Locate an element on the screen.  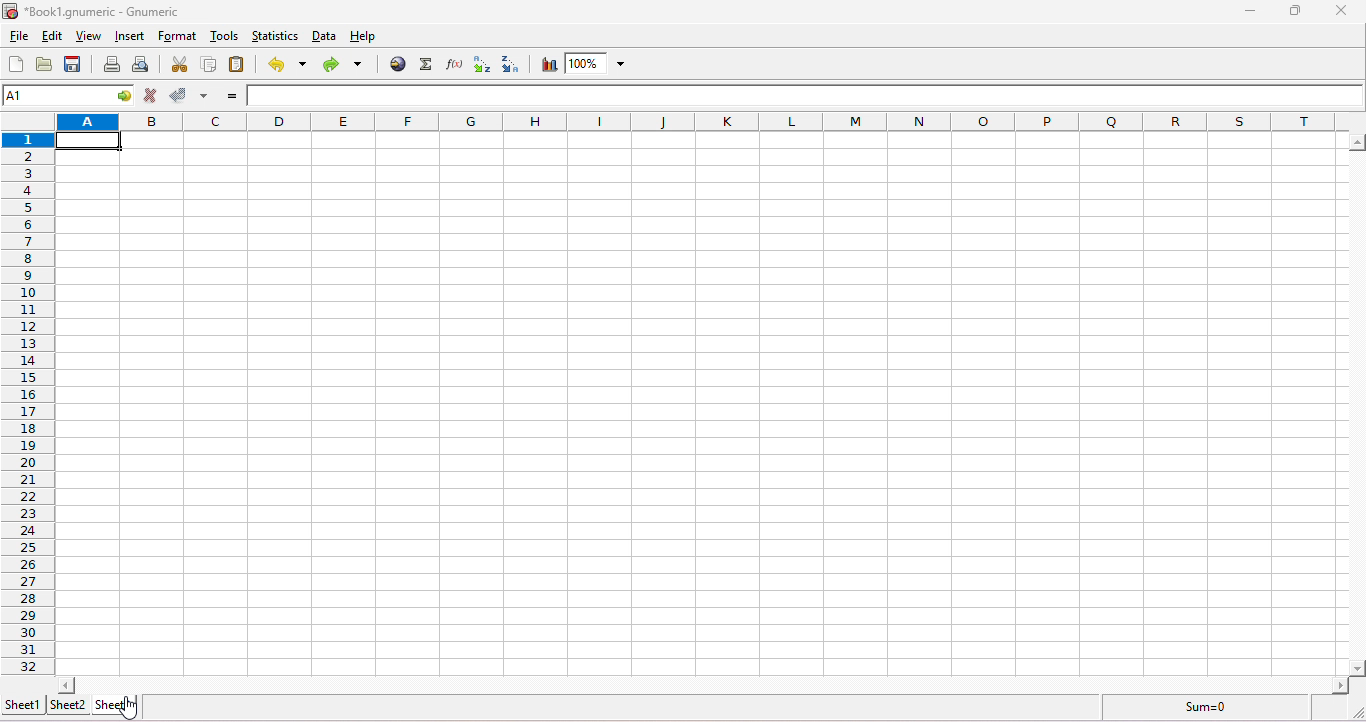
open a file is located at coordinates (47, 66).